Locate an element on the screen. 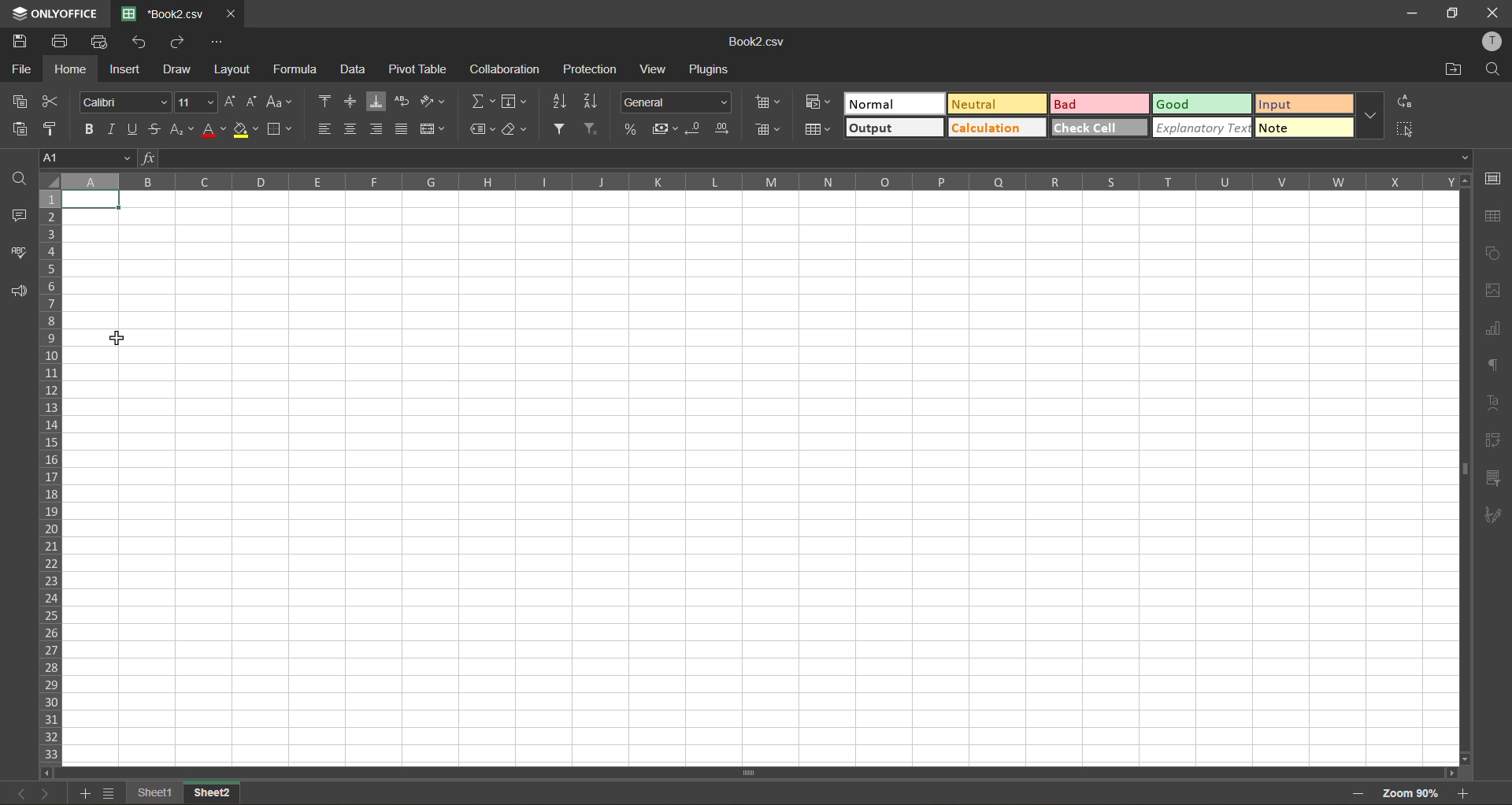 Image resolution: width=1512 pixels, height=805 pixels. plugins is located at coordinates (712, 70).